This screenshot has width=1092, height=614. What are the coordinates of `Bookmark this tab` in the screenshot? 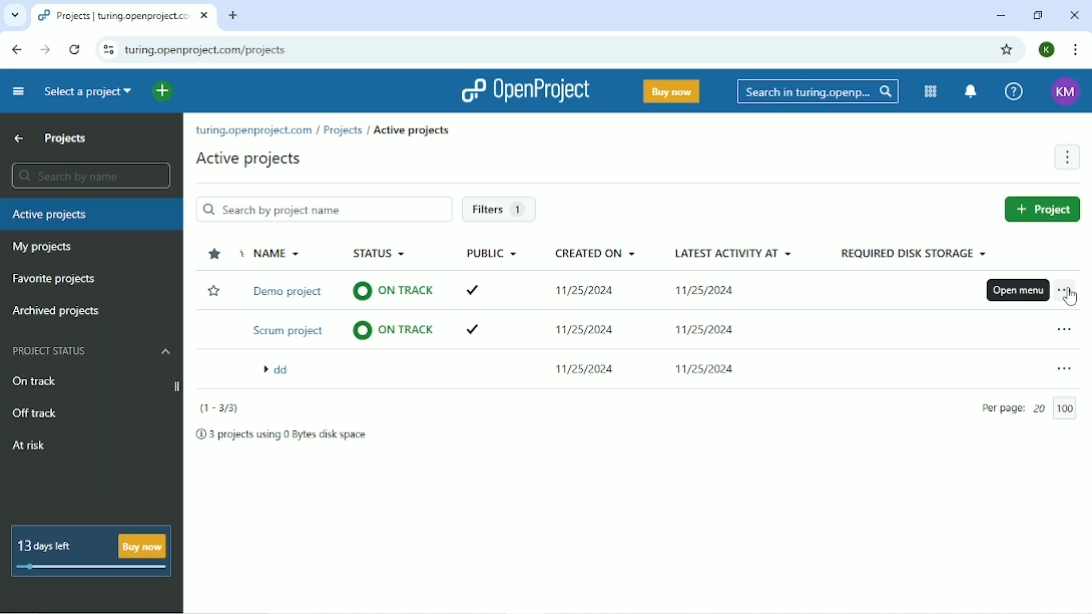 It's located at (1008, 49).